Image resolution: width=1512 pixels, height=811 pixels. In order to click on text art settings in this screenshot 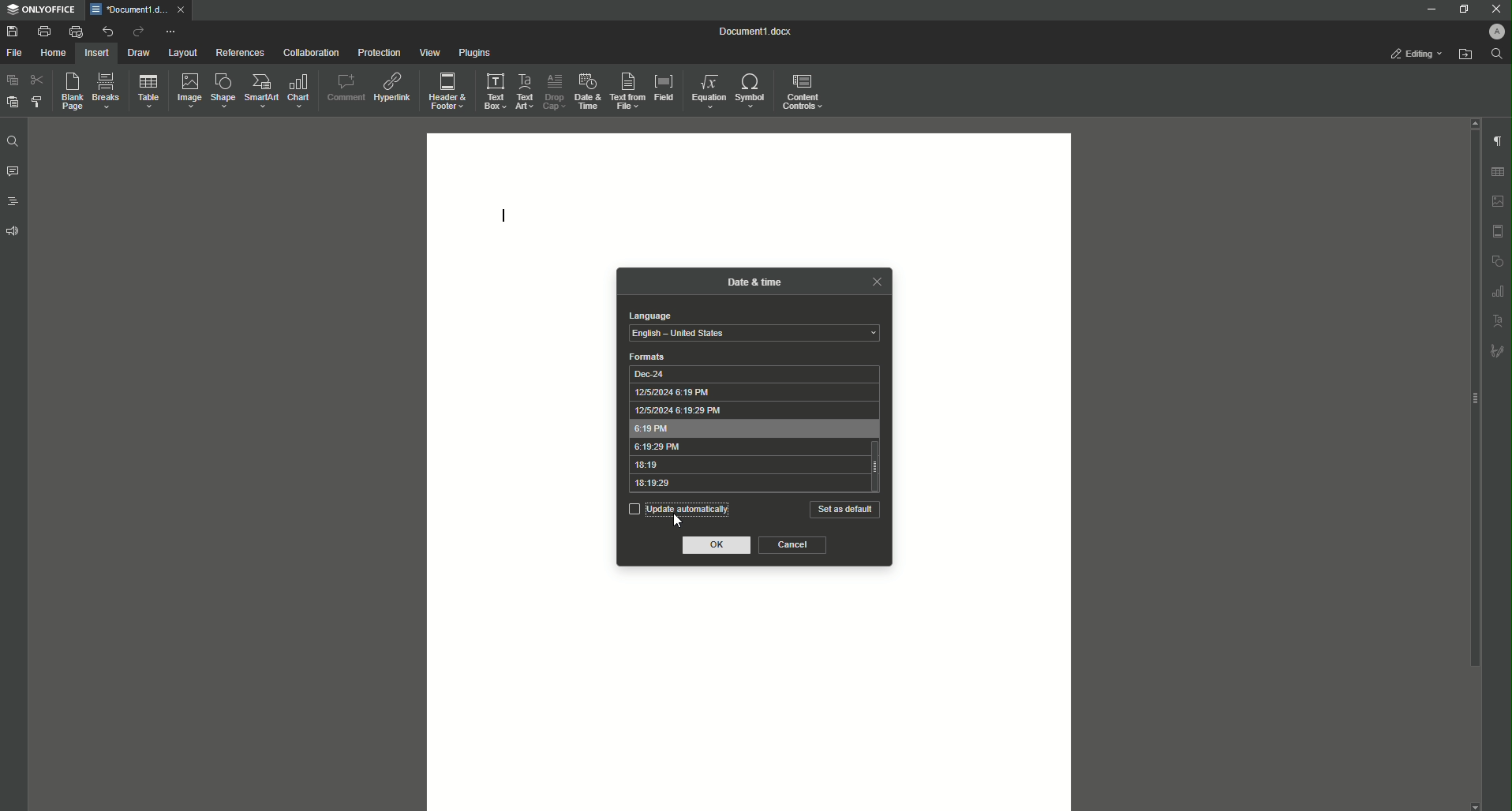, I will do `click(1499, 319)`.